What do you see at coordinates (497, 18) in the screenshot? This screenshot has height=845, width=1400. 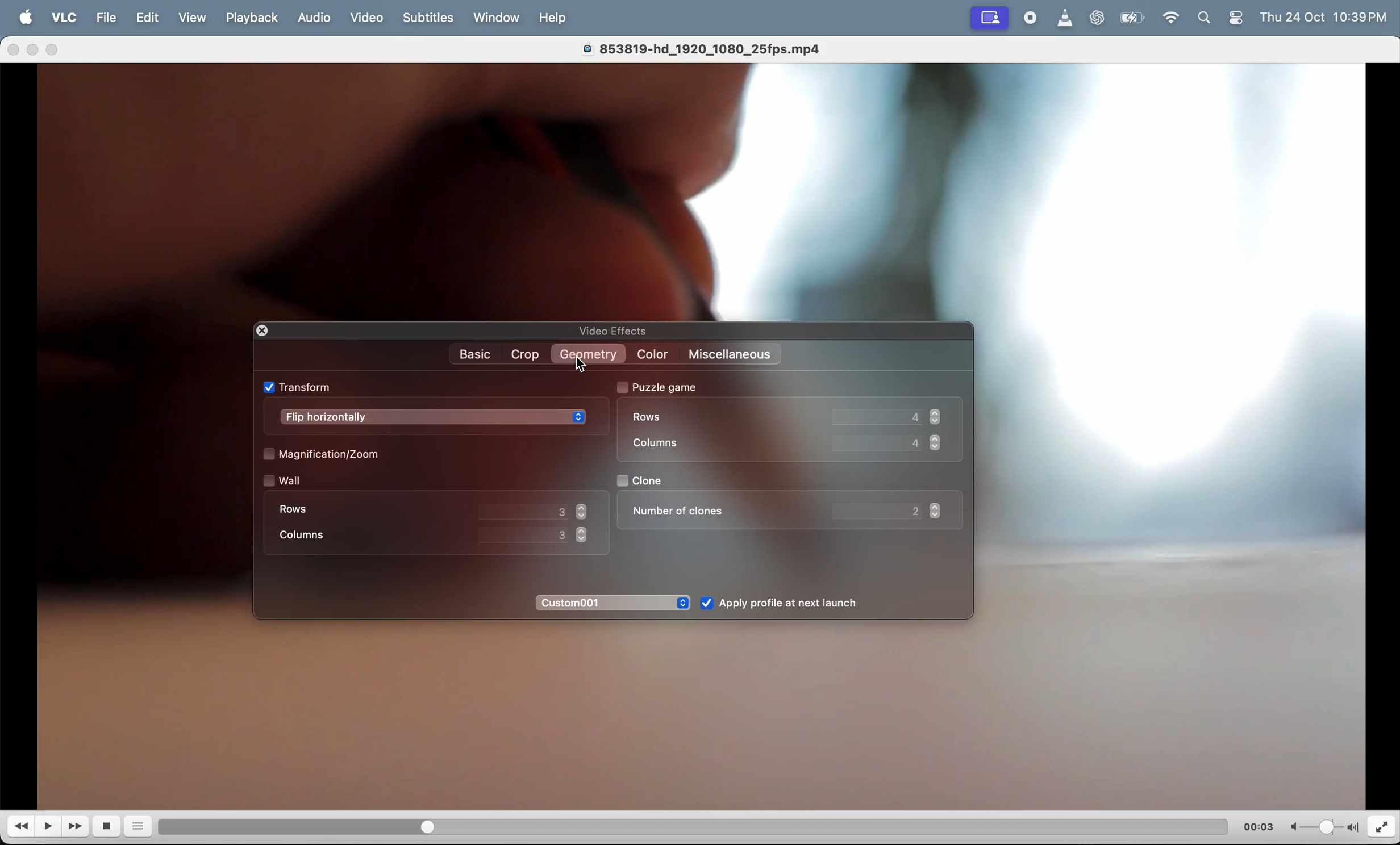 I see `` at bounding box center [497, 18].